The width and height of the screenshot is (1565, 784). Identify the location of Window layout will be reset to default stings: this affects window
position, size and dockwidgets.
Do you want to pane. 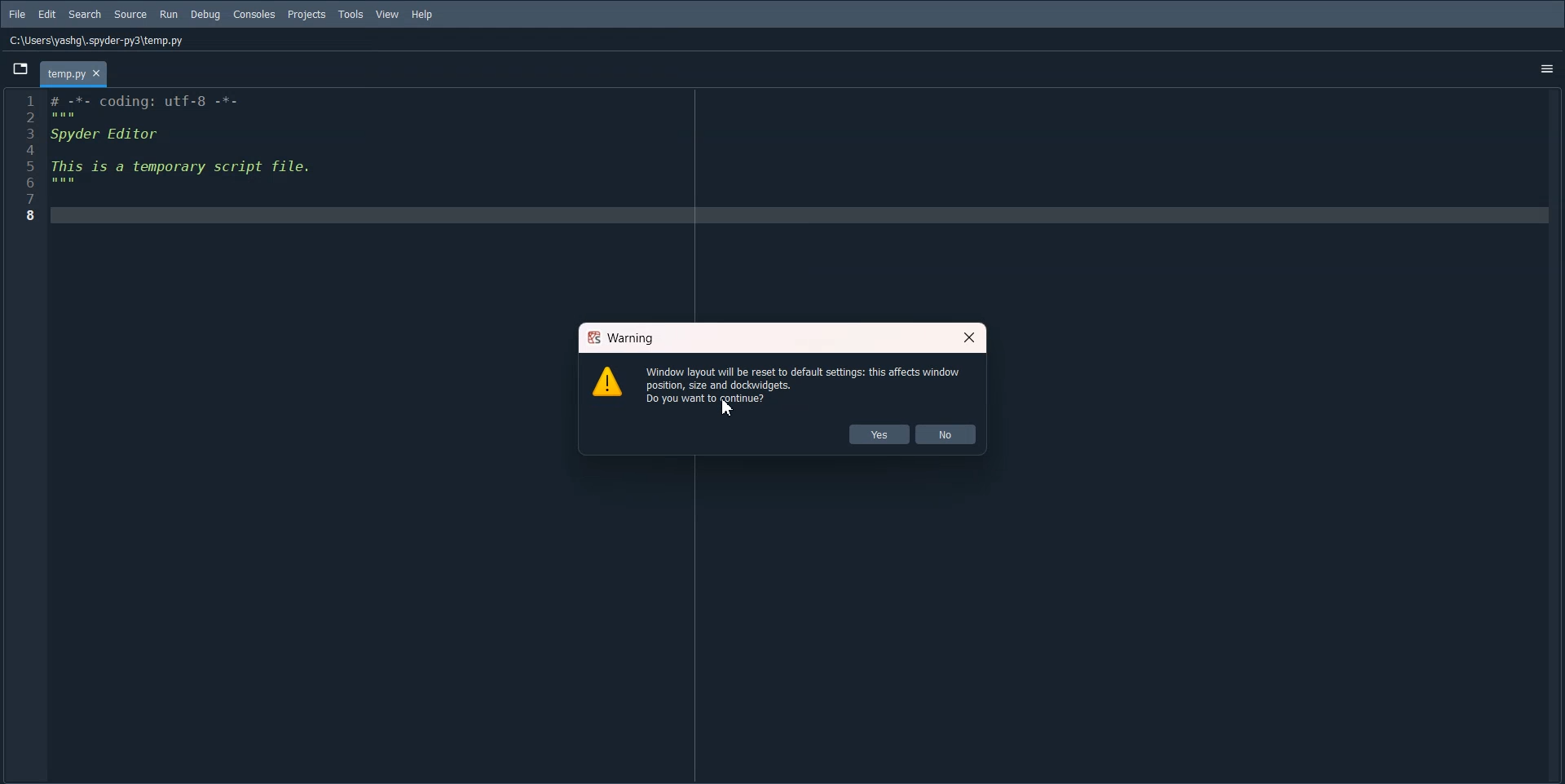
(782, 386).